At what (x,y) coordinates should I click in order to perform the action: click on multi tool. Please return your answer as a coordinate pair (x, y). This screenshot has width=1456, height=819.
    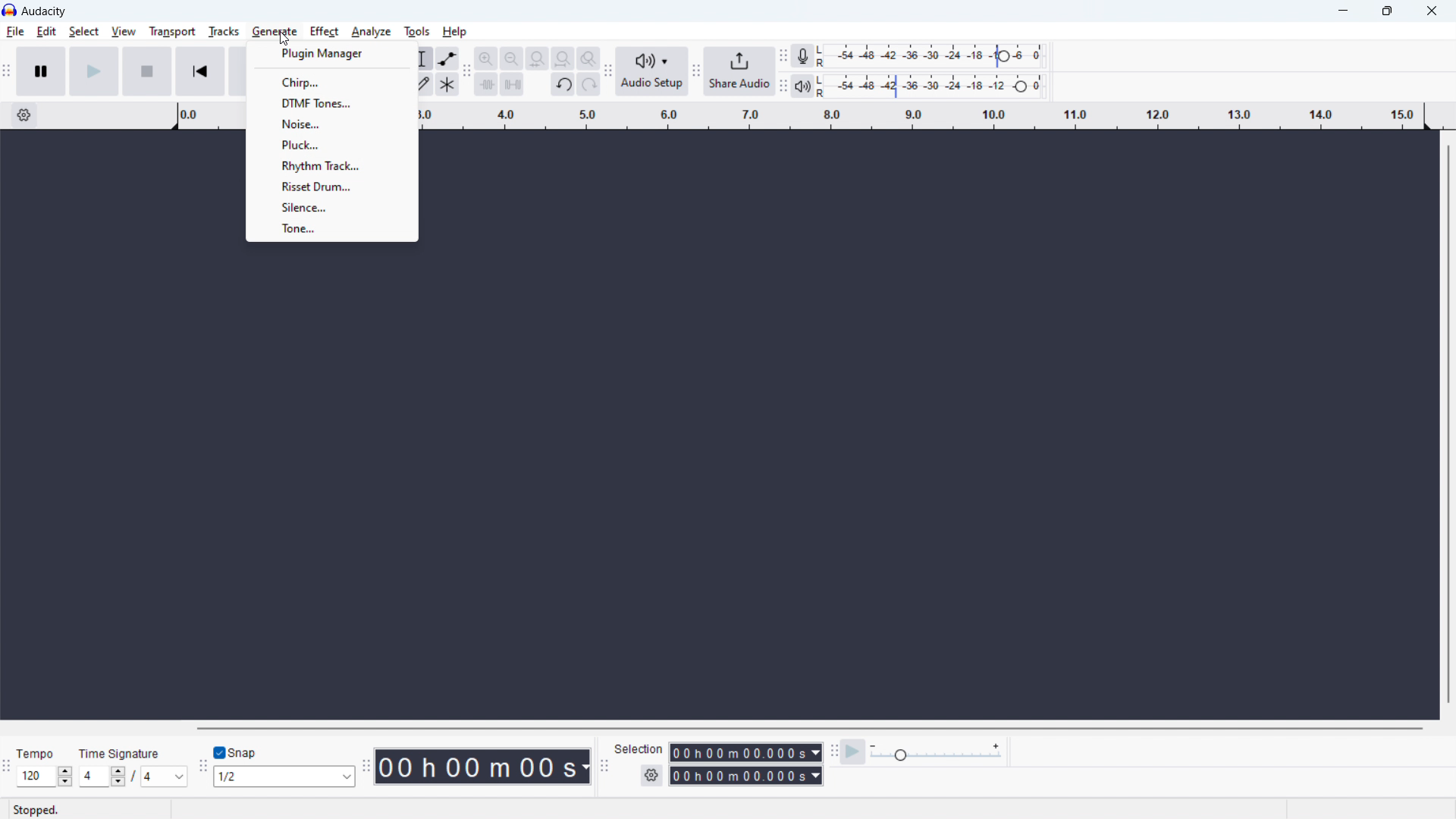
    Looking at the image, I should click on (447, 83).